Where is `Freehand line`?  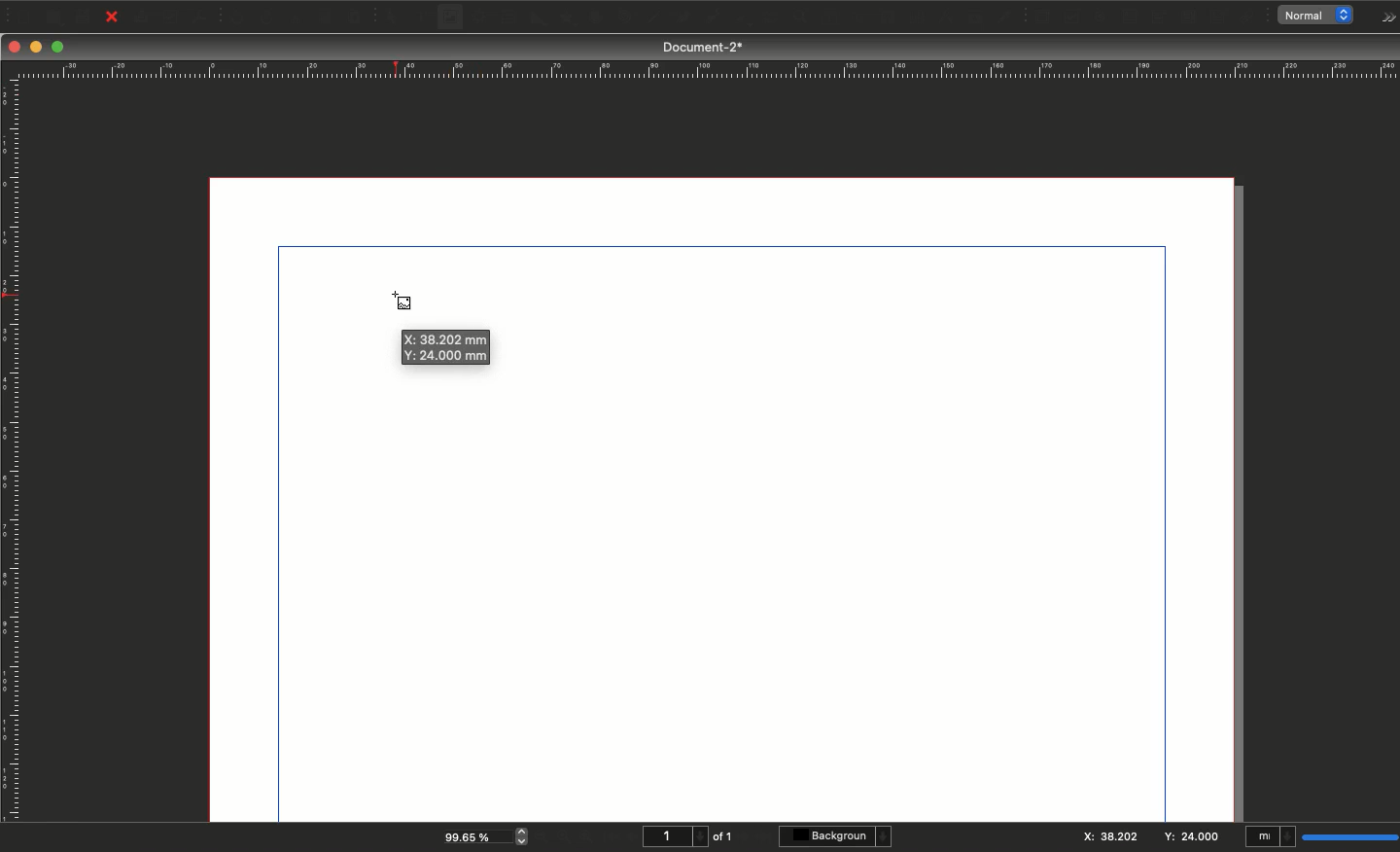
Freehand line is located at coordinates (708, 18).